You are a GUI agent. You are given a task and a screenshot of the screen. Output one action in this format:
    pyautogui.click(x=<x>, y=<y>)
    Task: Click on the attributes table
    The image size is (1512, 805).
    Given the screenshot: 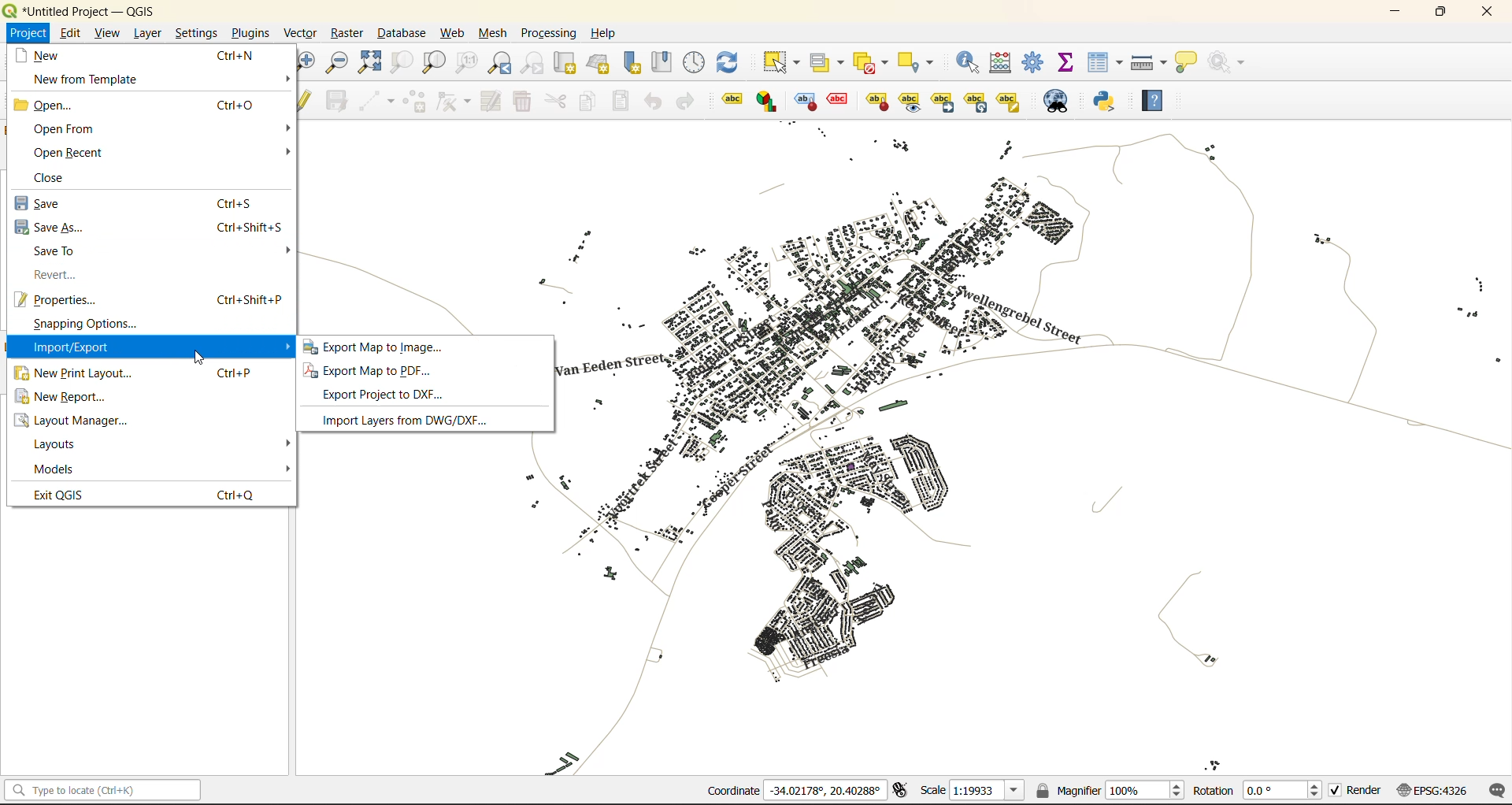 What is the action you would take?
    pyautogui.click(x=1106, y=63)
    